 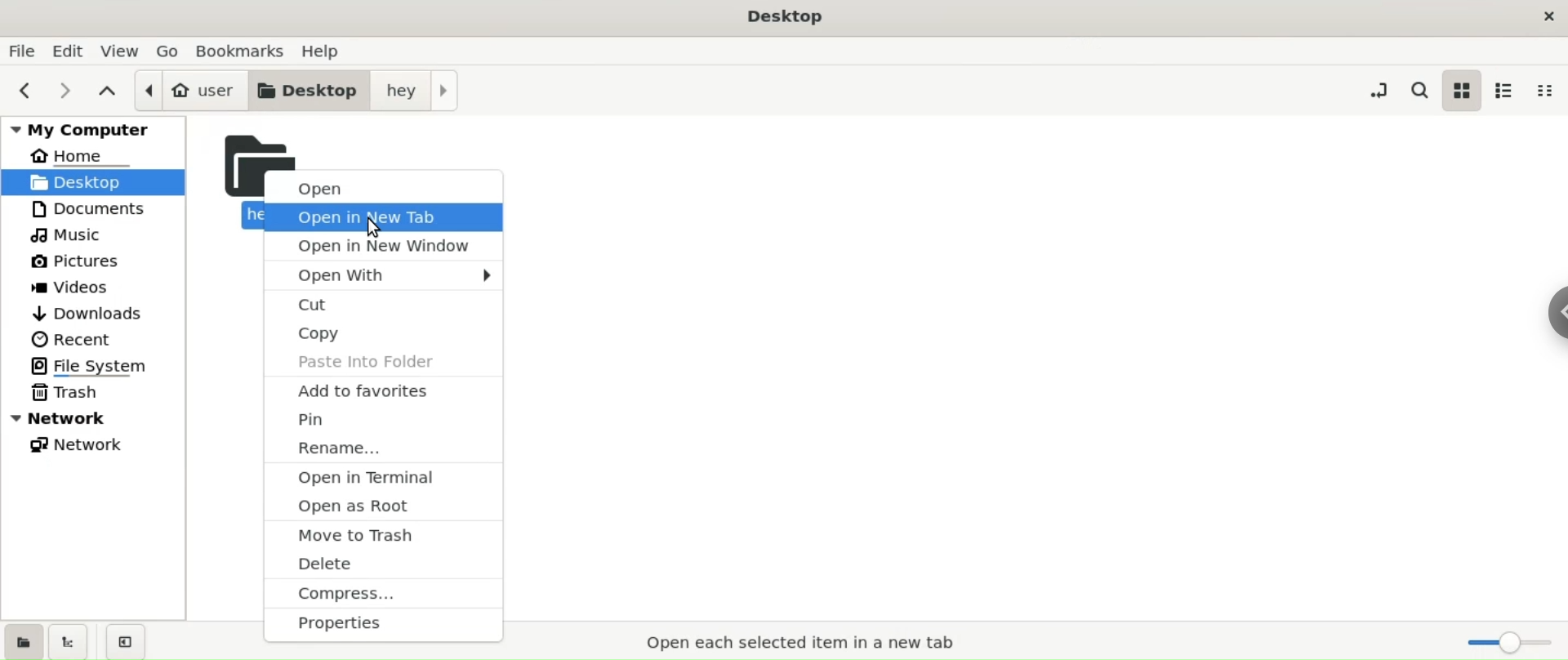 I want to click on cursor, so click(x=374, y=227).